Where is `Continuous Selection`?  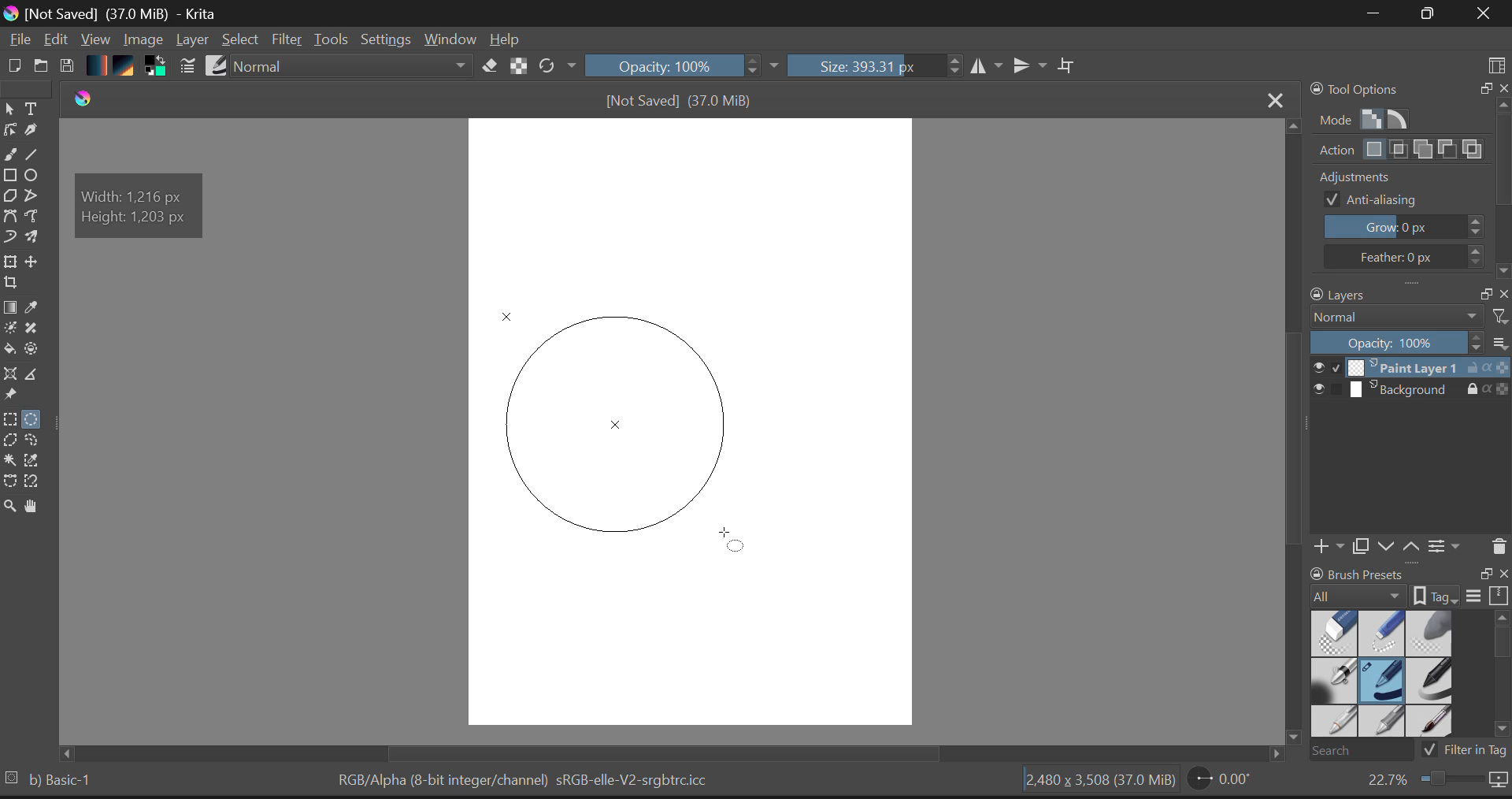
Continuous Selection is located at coordinates (13, 461).